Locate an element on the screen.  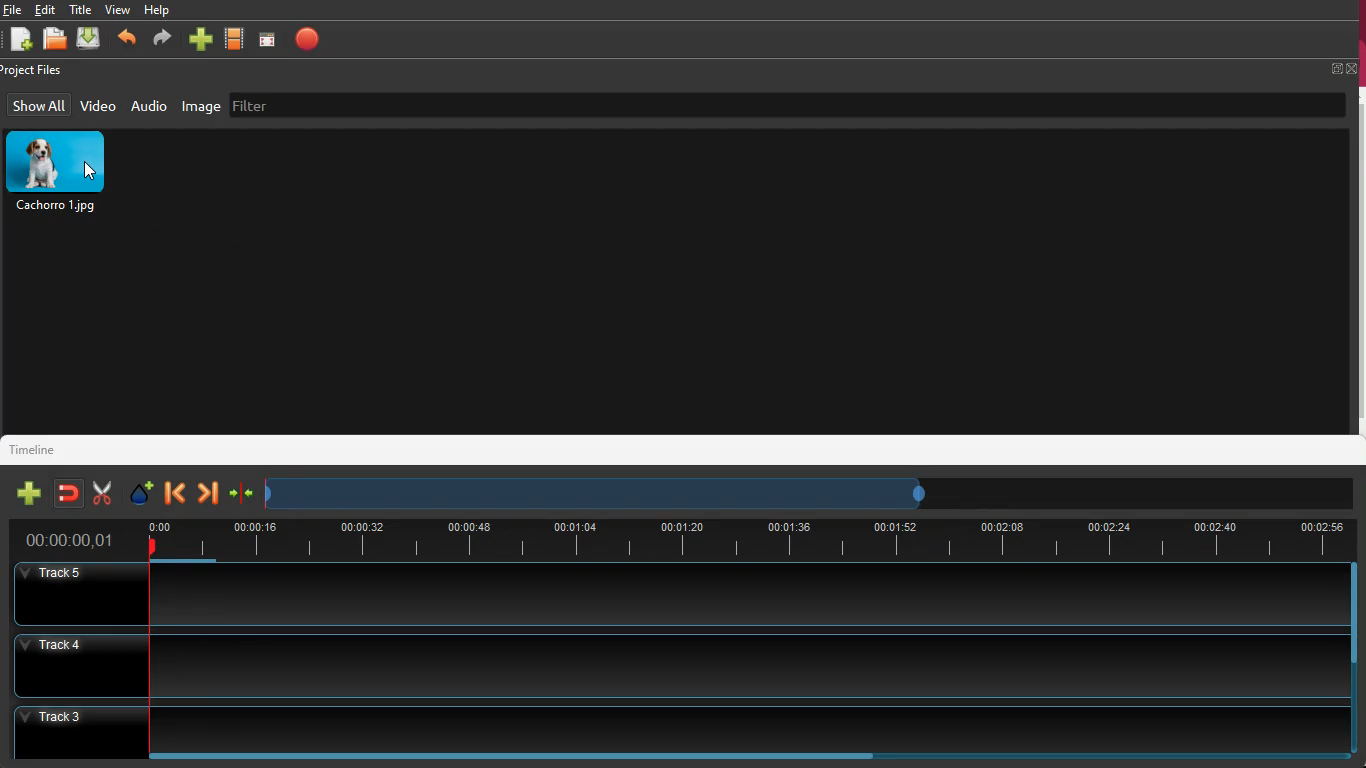
filter is located at coordinates (359, 103).